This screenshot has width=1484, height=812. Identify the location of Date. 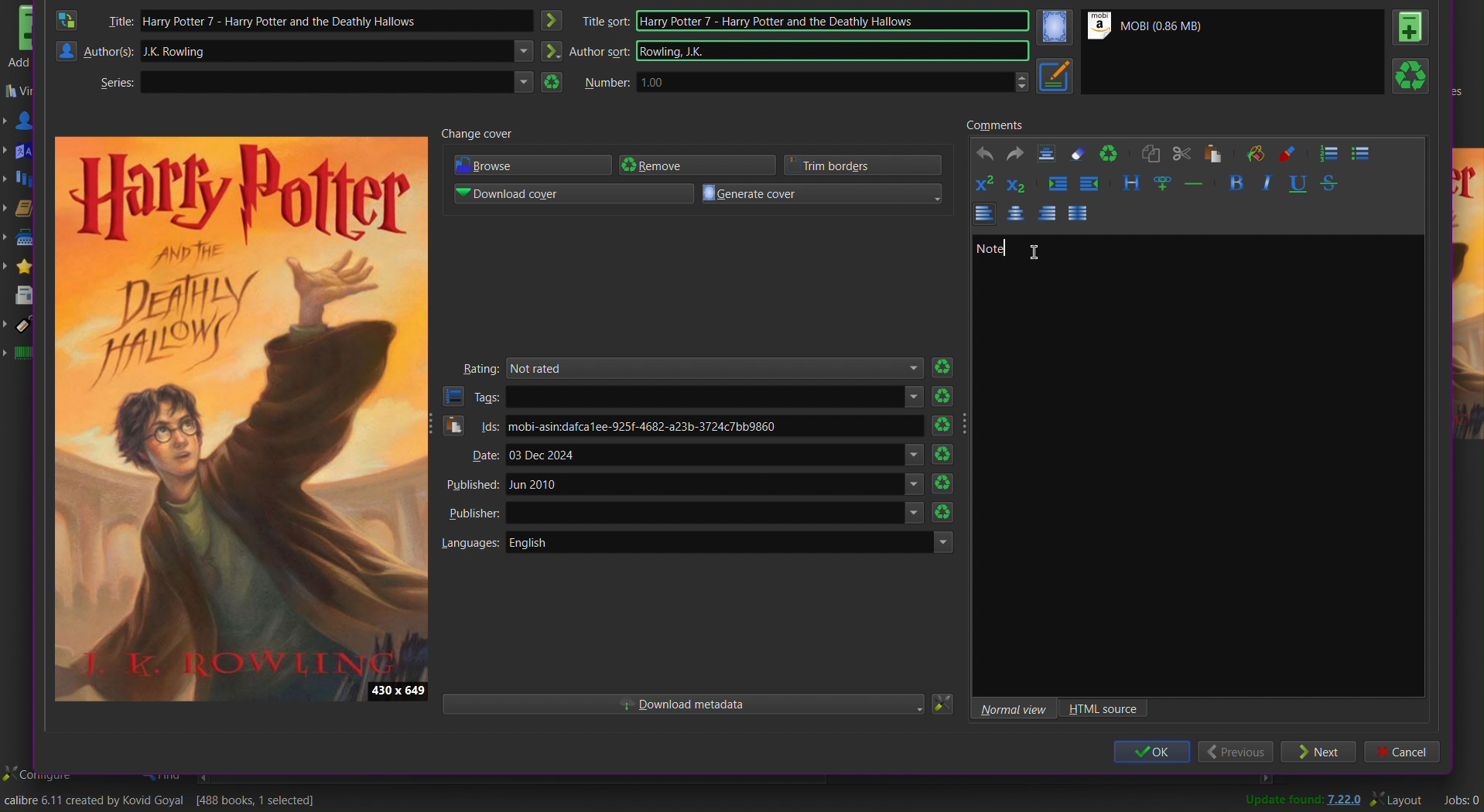
(477, 455).